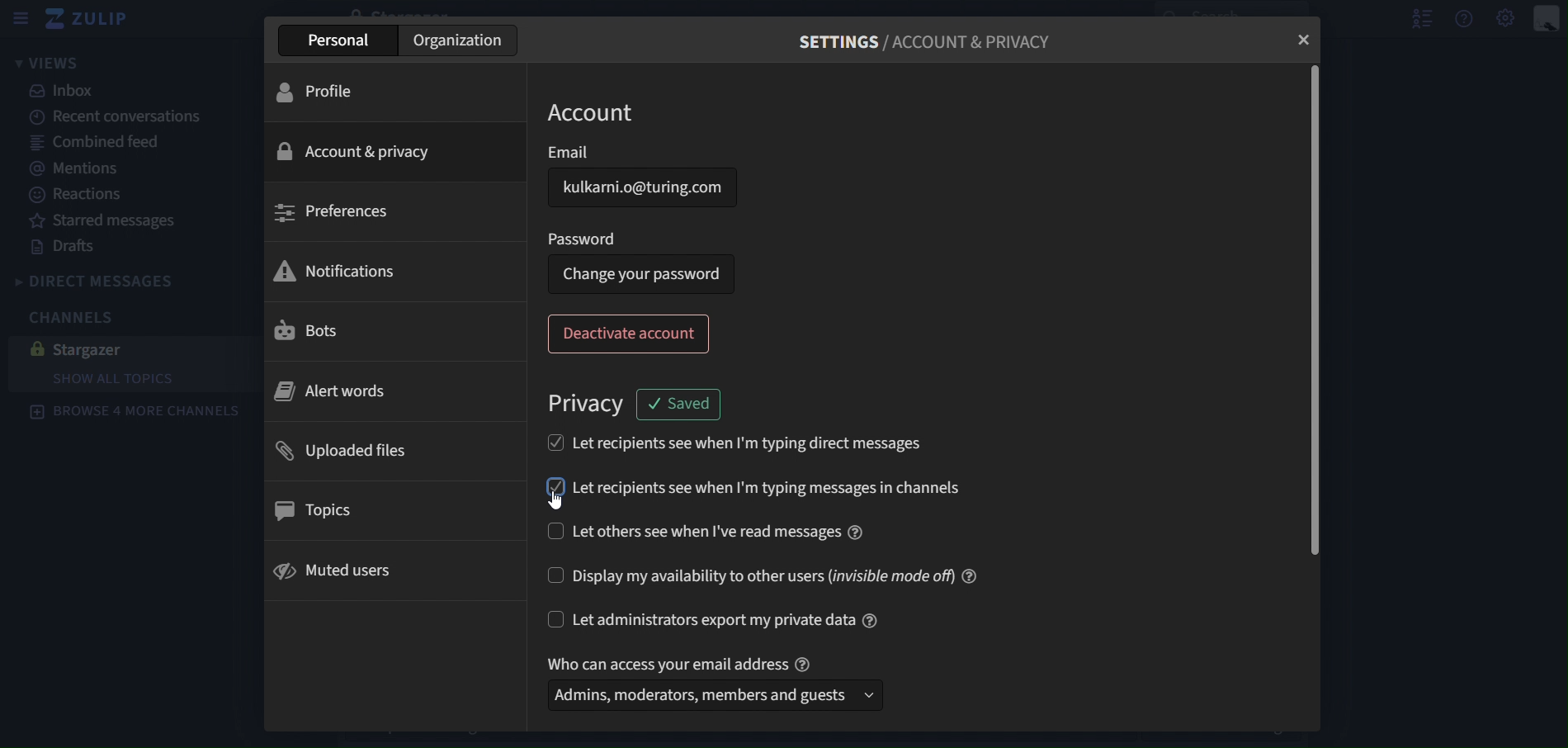 This screenshot has height=748, width=1568. What do you see at coordinates (587, 404) in the screenshot?
I see `privacy` at bounding box center [587, 404].